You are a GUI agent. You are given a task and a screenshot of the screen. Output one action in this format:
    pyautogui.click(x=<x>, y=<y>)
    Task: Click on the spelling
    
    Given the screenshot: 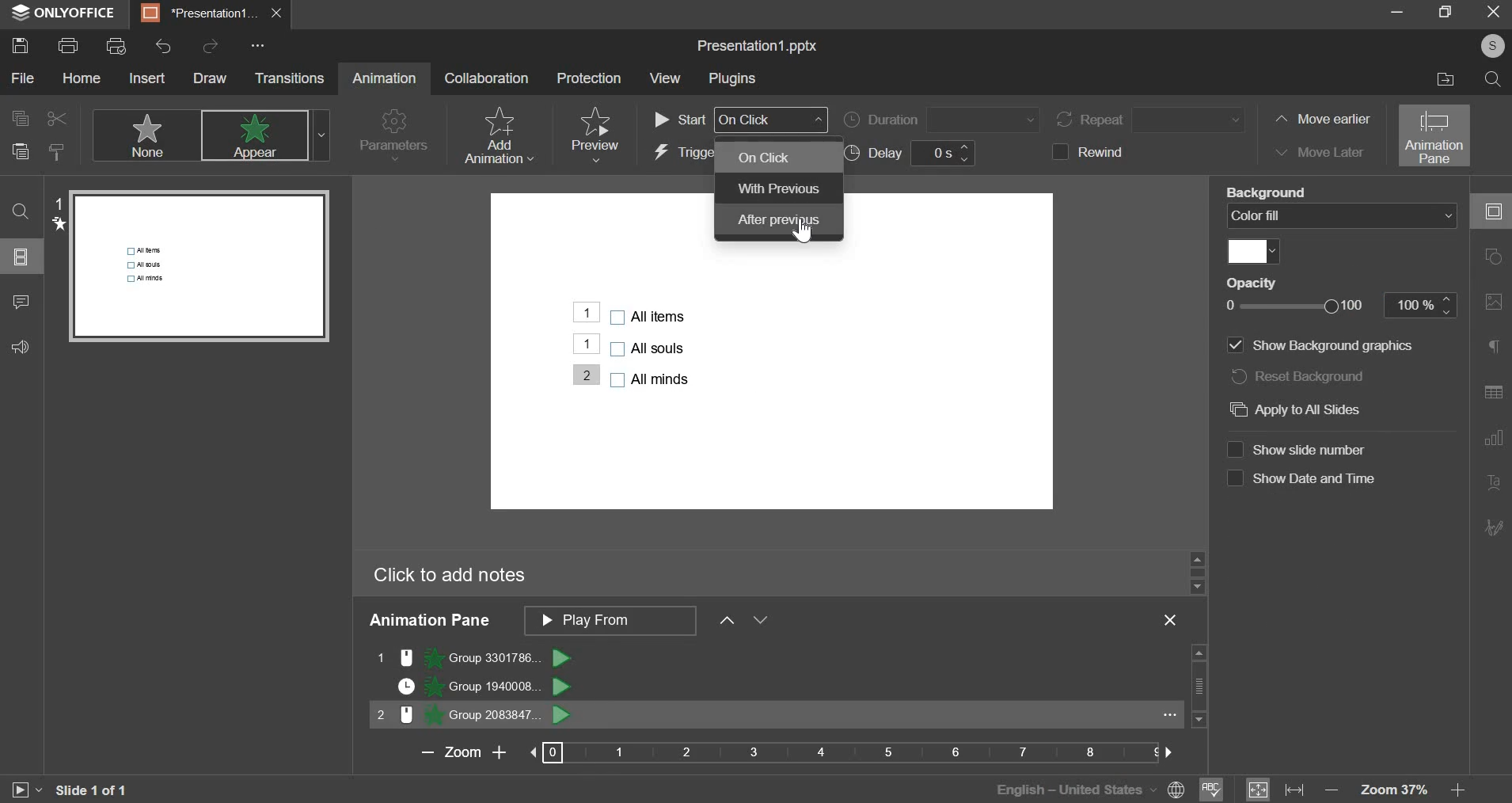 What is the action you would take?
    pyautogui.click(x=1212, y=787)
    